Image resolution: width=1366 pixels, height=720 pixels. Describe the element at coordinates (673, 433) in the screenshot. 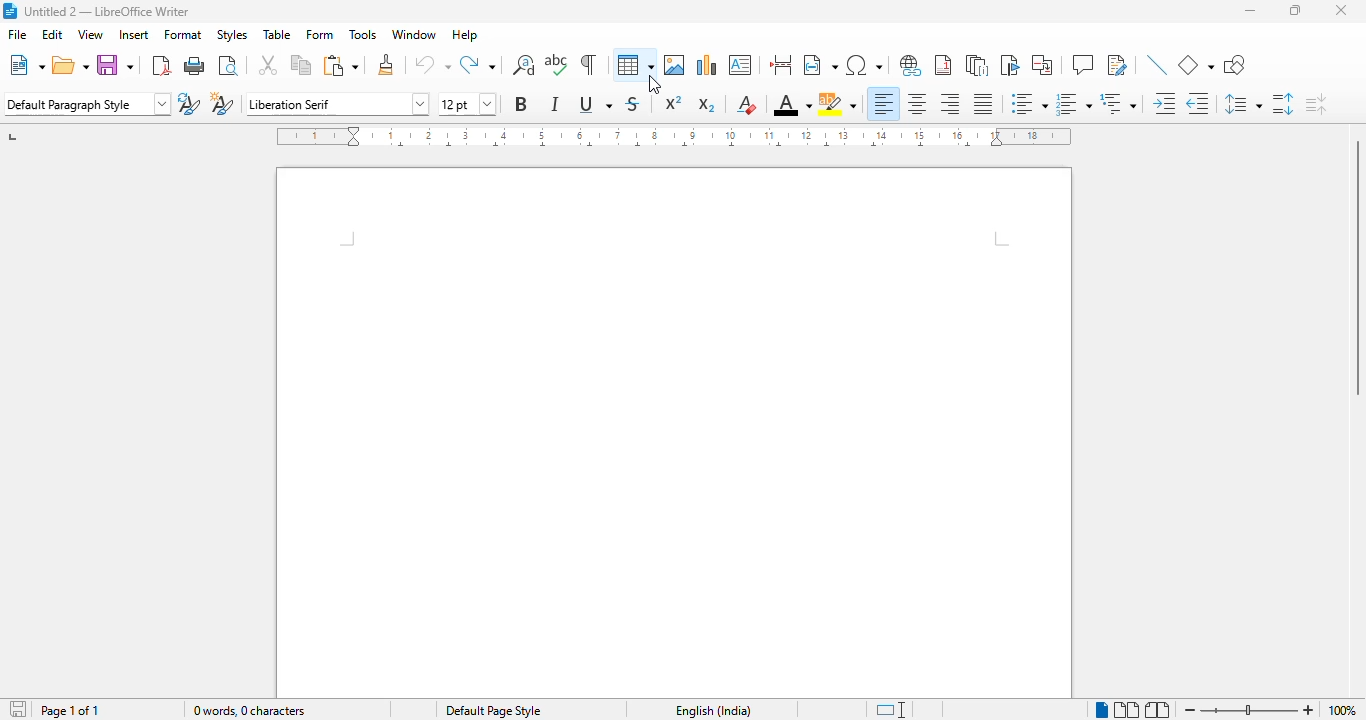

I see `page` at that location.